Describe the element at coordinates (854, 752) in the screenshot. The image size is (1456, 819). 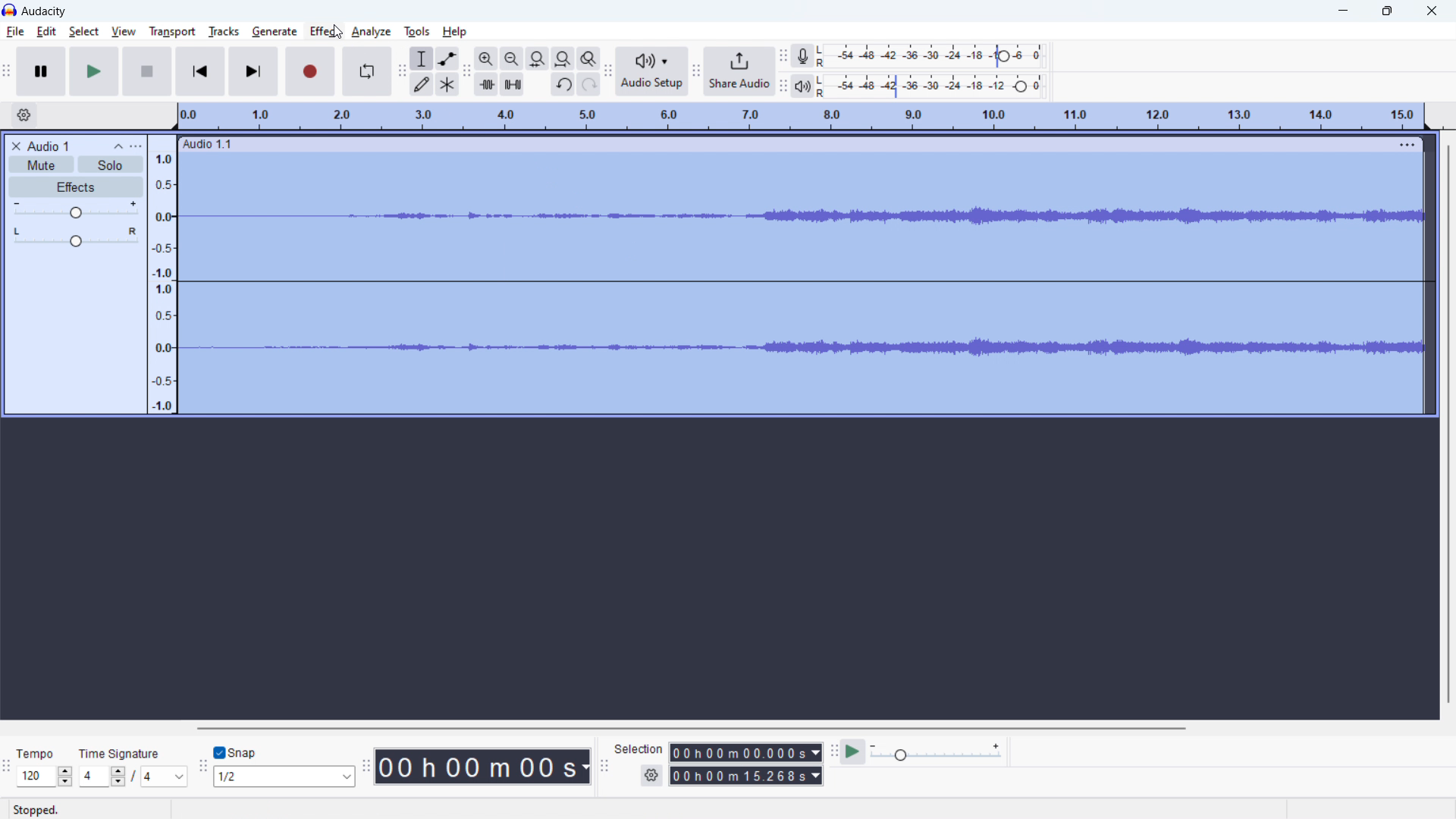
I see `play at speed` at that location.